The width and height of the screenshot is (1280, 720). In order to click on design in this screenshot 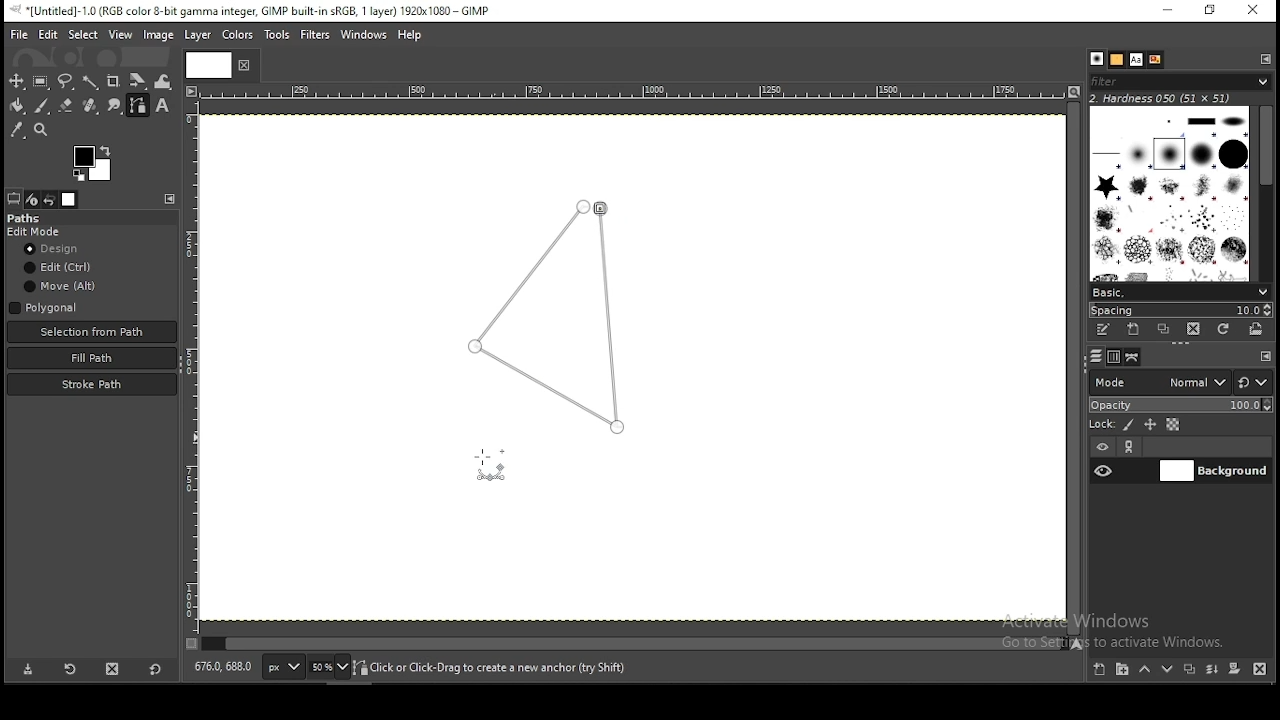, I will do `click(56, 248)`.